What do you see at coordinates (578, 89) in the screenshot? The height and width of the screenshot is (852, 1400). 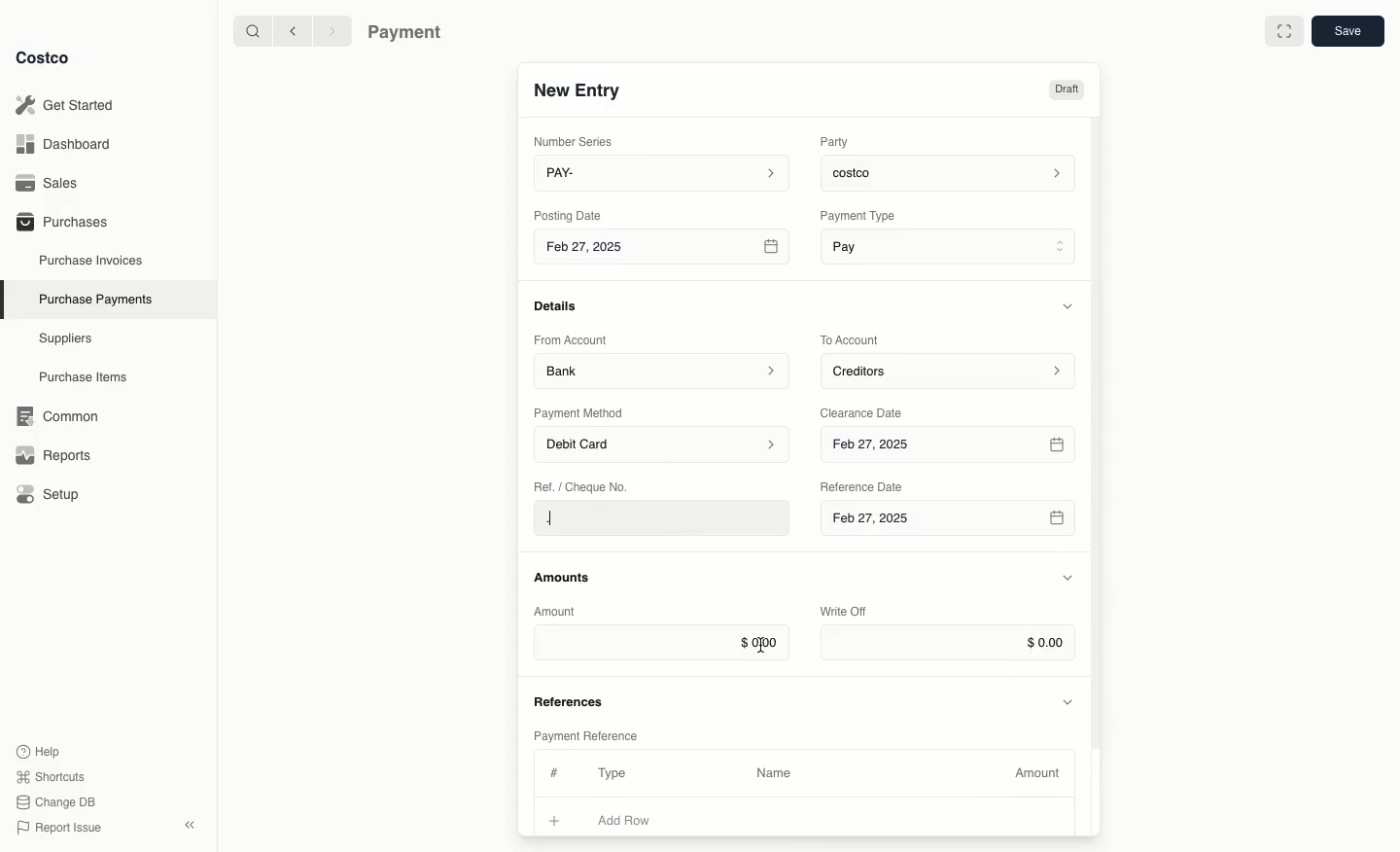 I see `New Entry` at bounding box center [578, 89].